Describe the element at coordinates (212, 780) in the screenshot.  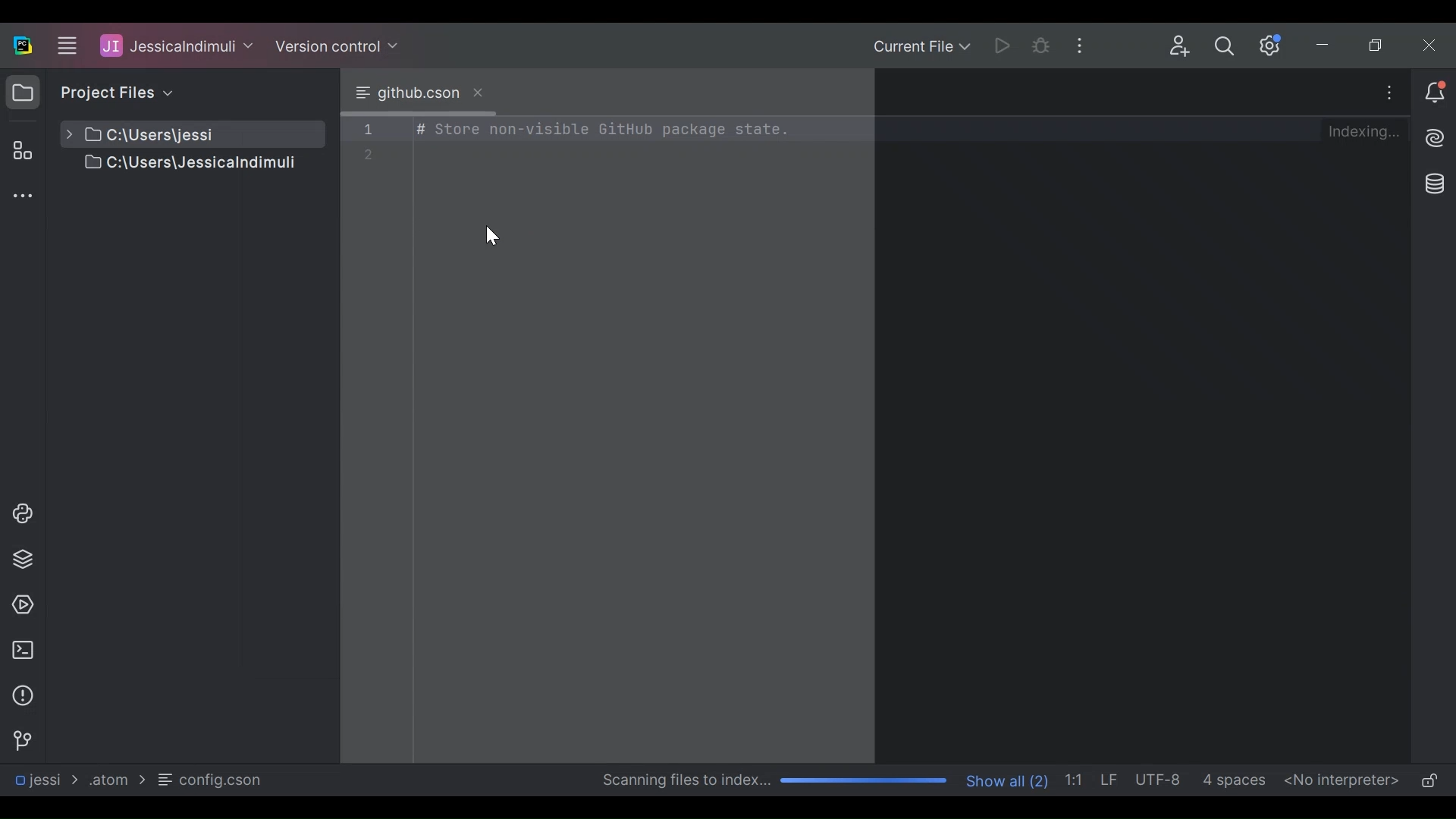
I see `File` at that location.